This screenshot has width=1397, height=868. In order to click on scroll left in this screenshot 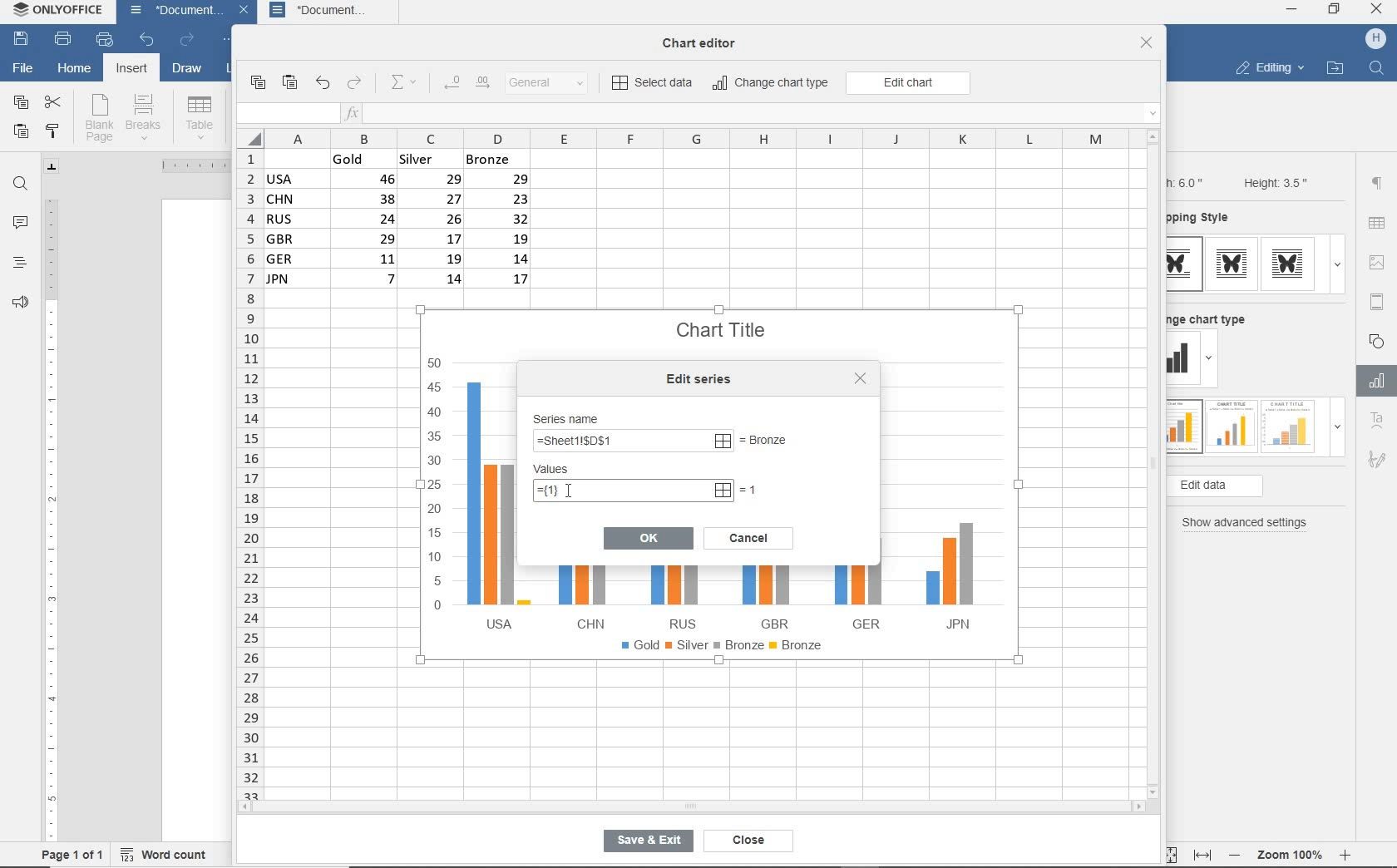, I will do `click(249, 808)`.